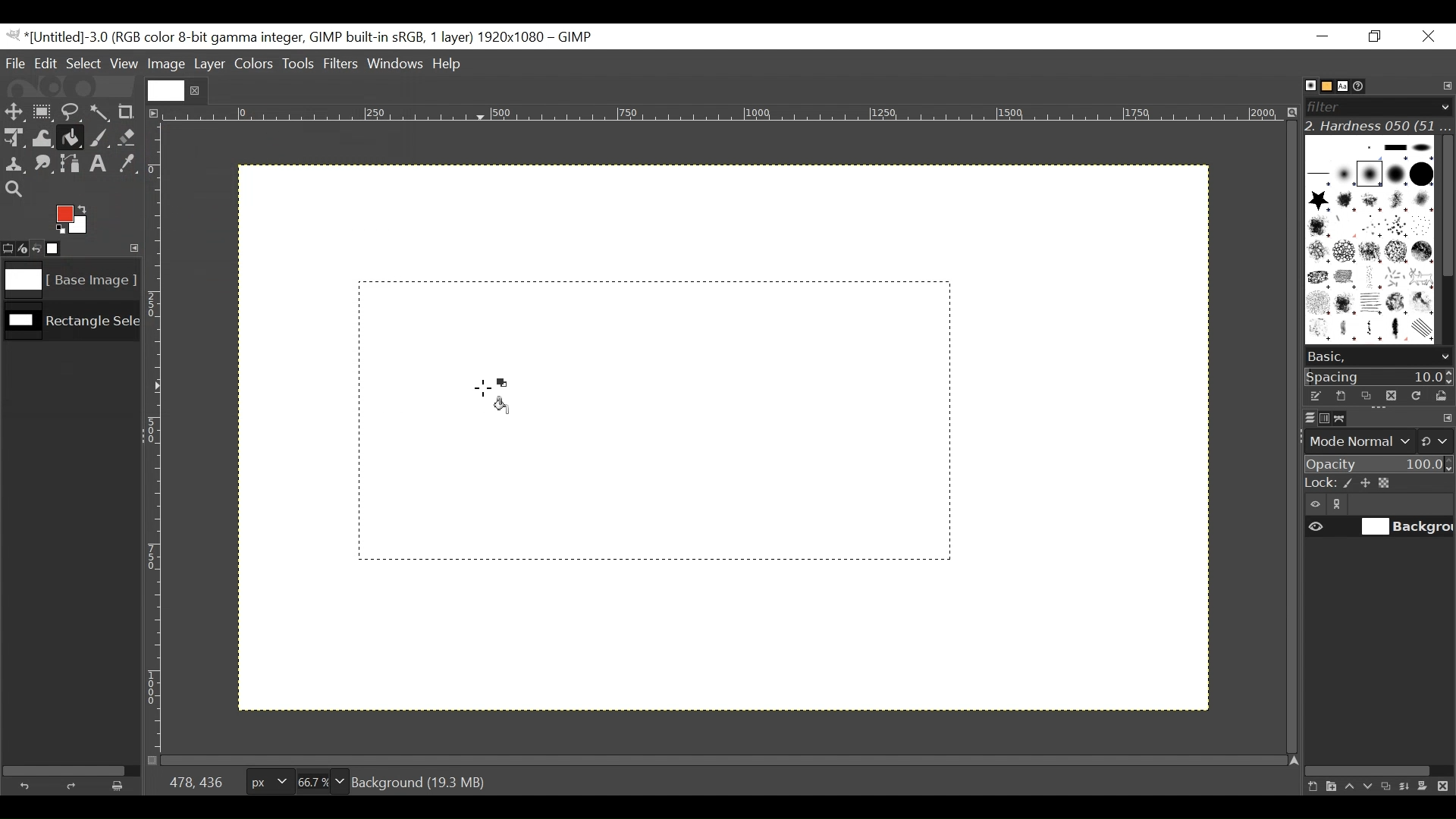 This screenshot has width=1456, height=819. Describe the element at coordinates (322, 780) in the screenshot. I see `Zoom factor` at that location.